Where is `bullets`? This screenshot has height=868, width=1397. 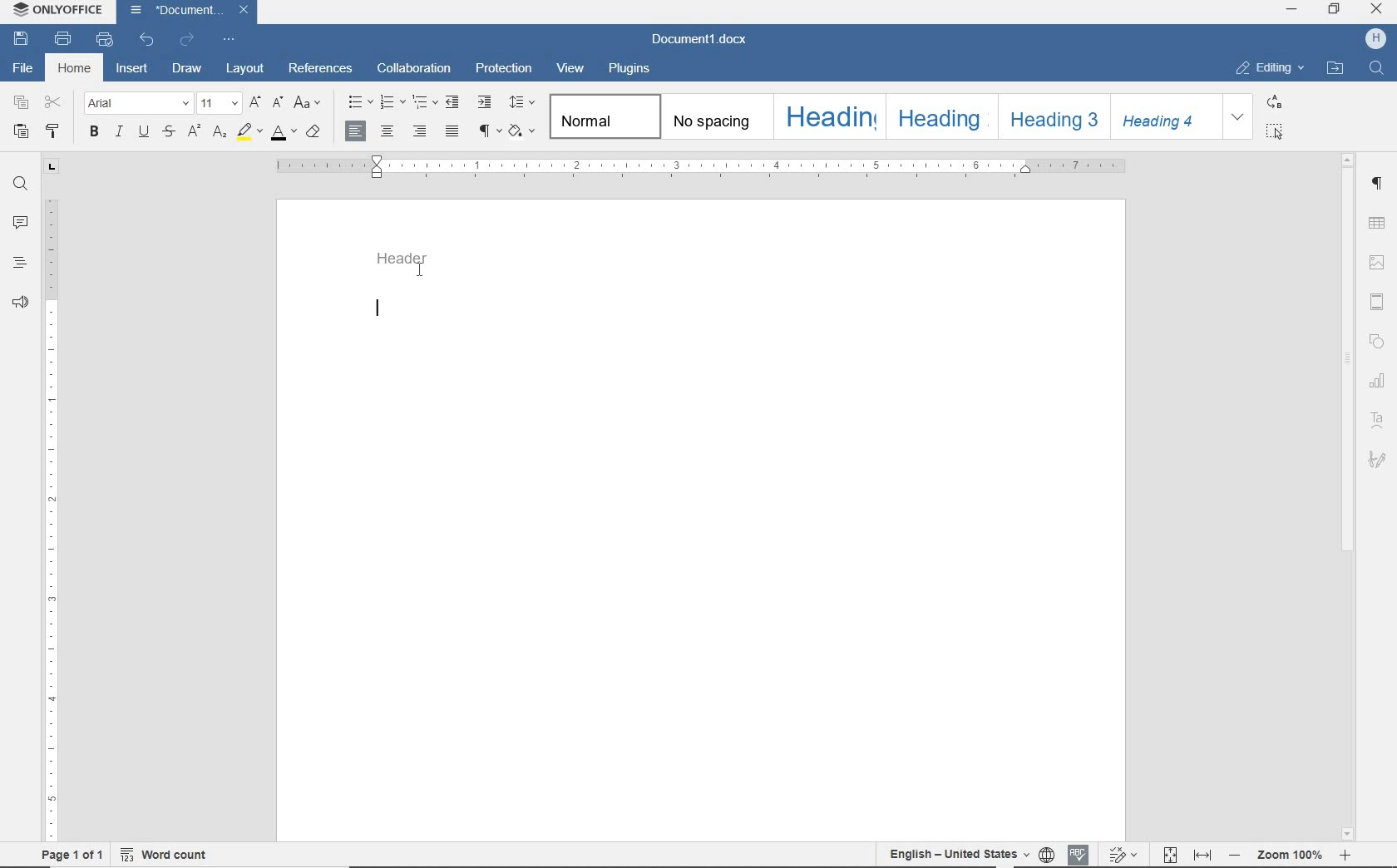 bullets is located at coordinates (356, 102).